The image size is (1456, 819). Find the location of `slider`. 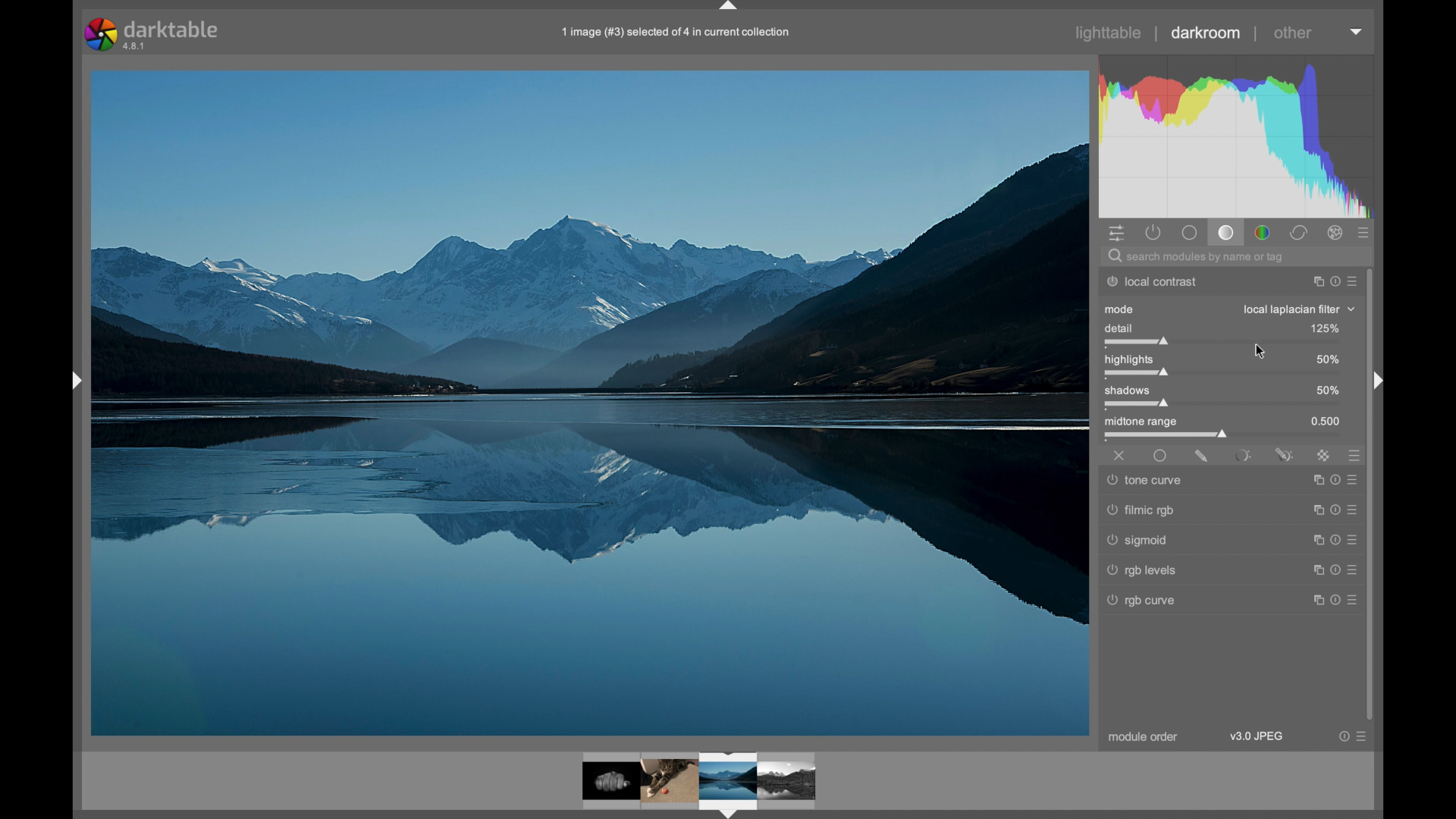

slider is located at coordinates (1137, 374).